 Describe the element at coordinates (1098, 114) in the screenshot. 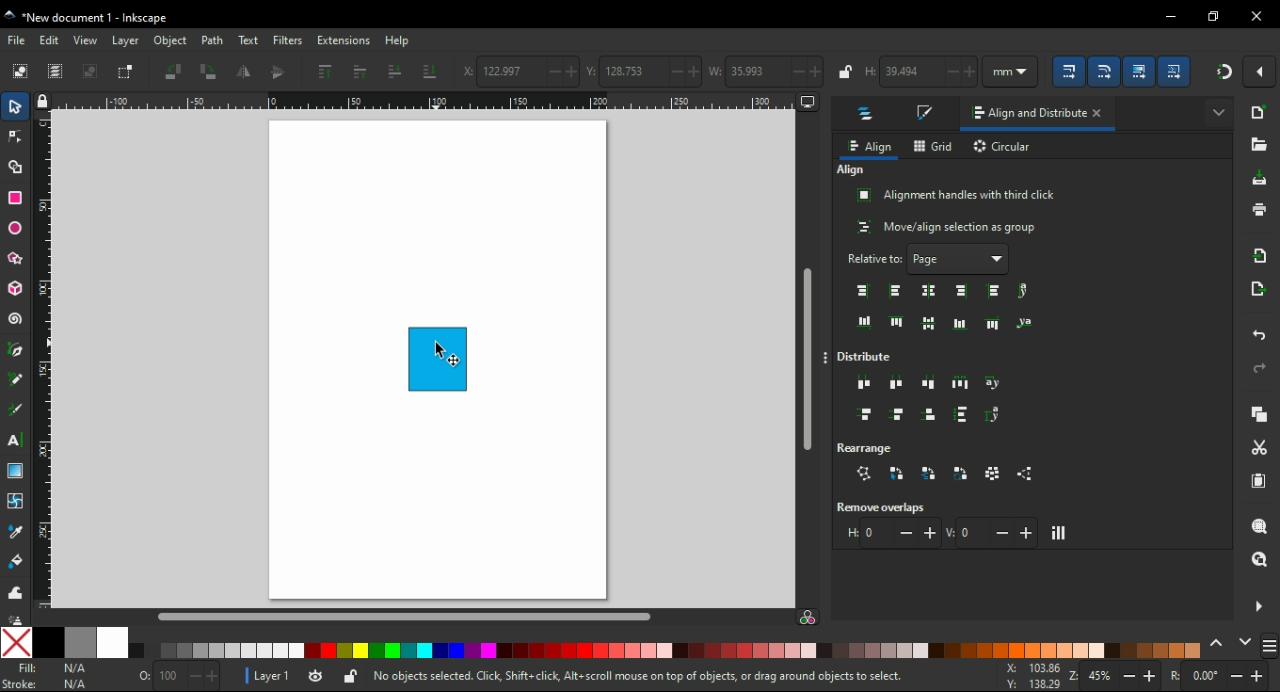

I see `close` at that location.